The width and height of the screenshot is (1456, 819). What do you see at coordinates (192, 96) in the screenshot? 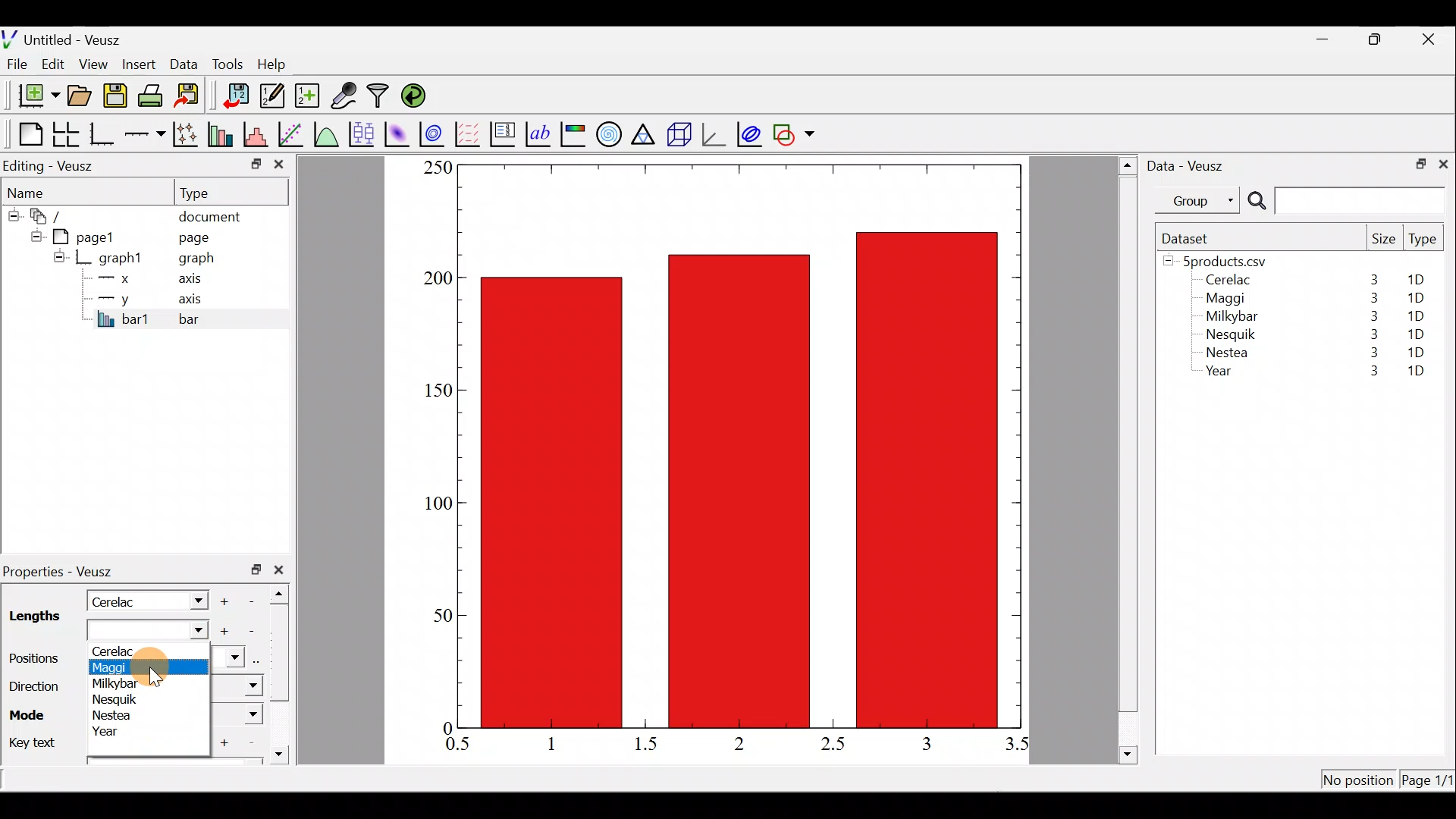
I see `Export to graphics format` at bounding box center [192, 96].